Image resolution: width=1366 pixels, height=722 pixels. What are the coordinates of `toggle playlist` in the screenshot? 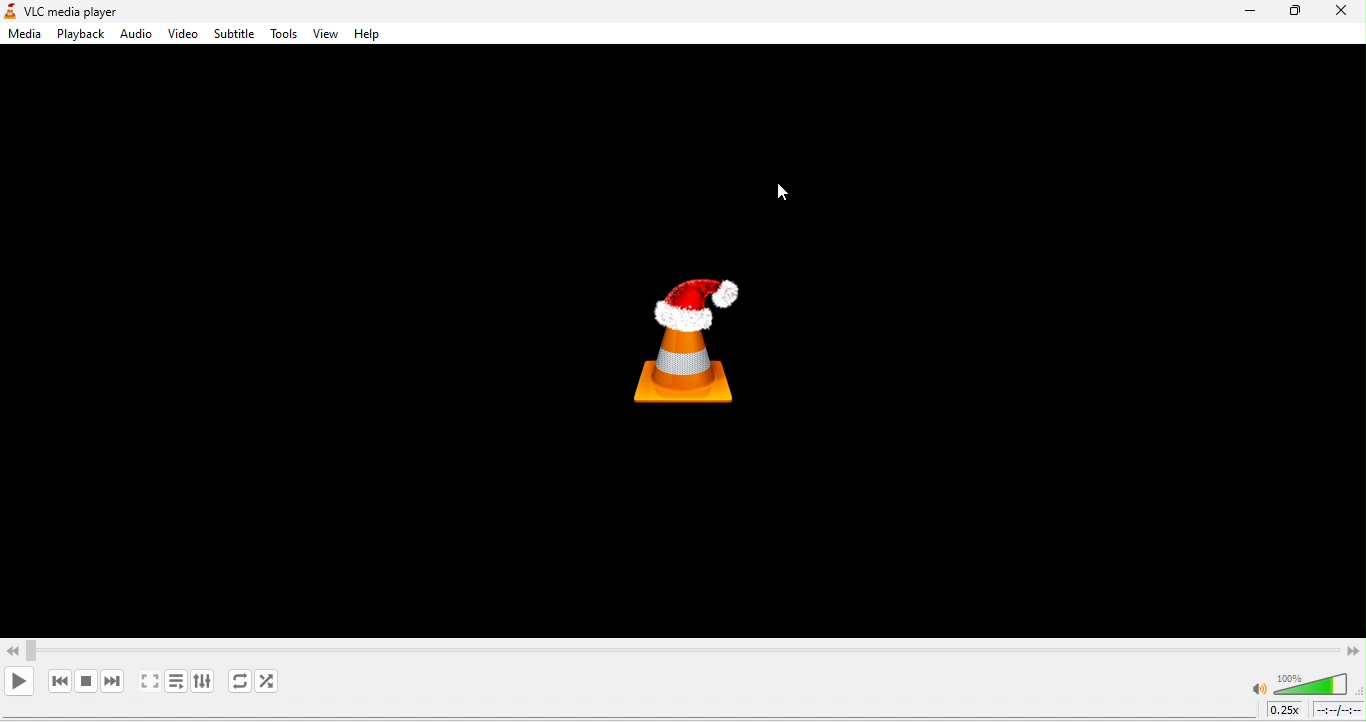 It's located at (171, 684).